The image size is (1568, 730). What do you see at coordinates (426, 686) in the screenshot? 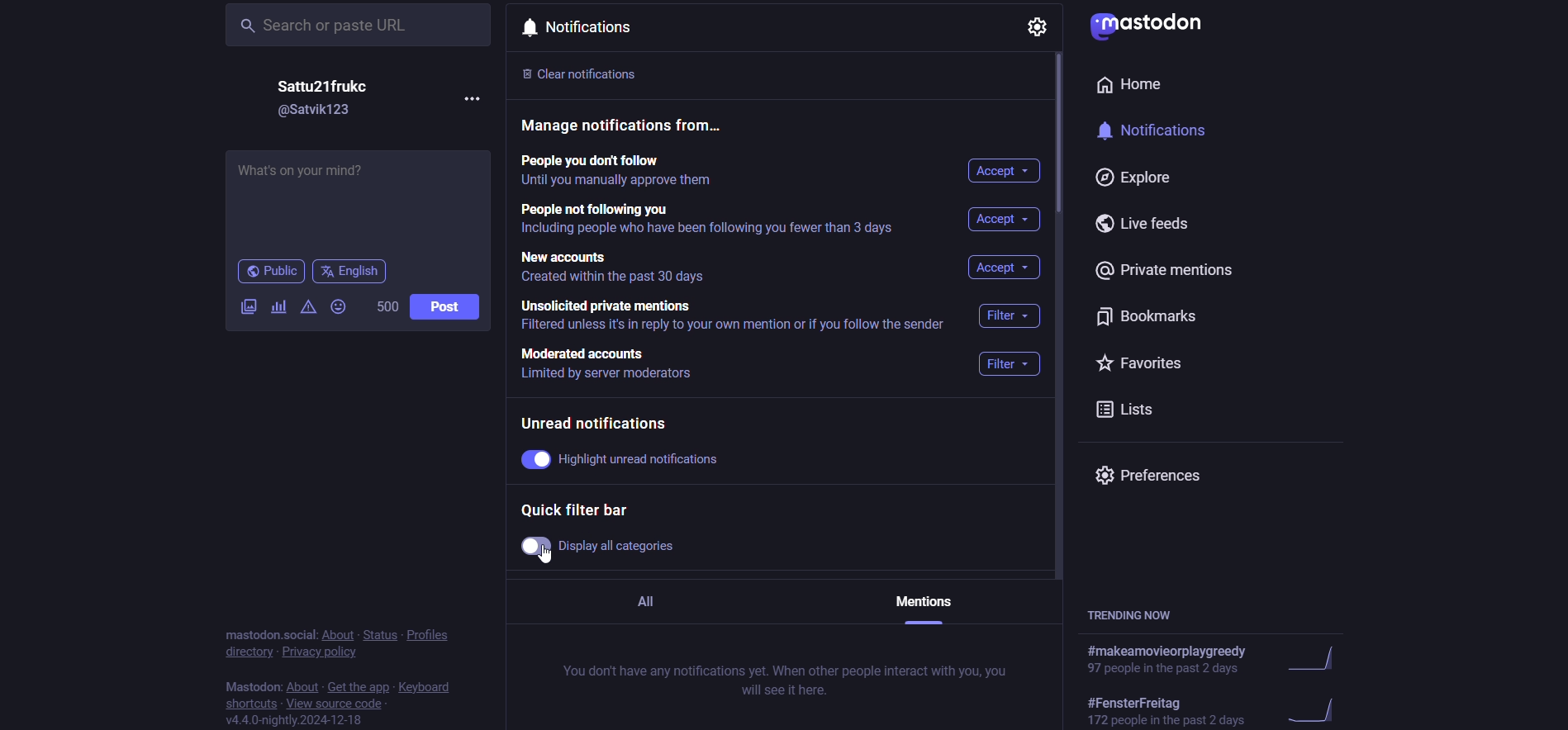
I see `keyboard` at bounding box center [426, 686].